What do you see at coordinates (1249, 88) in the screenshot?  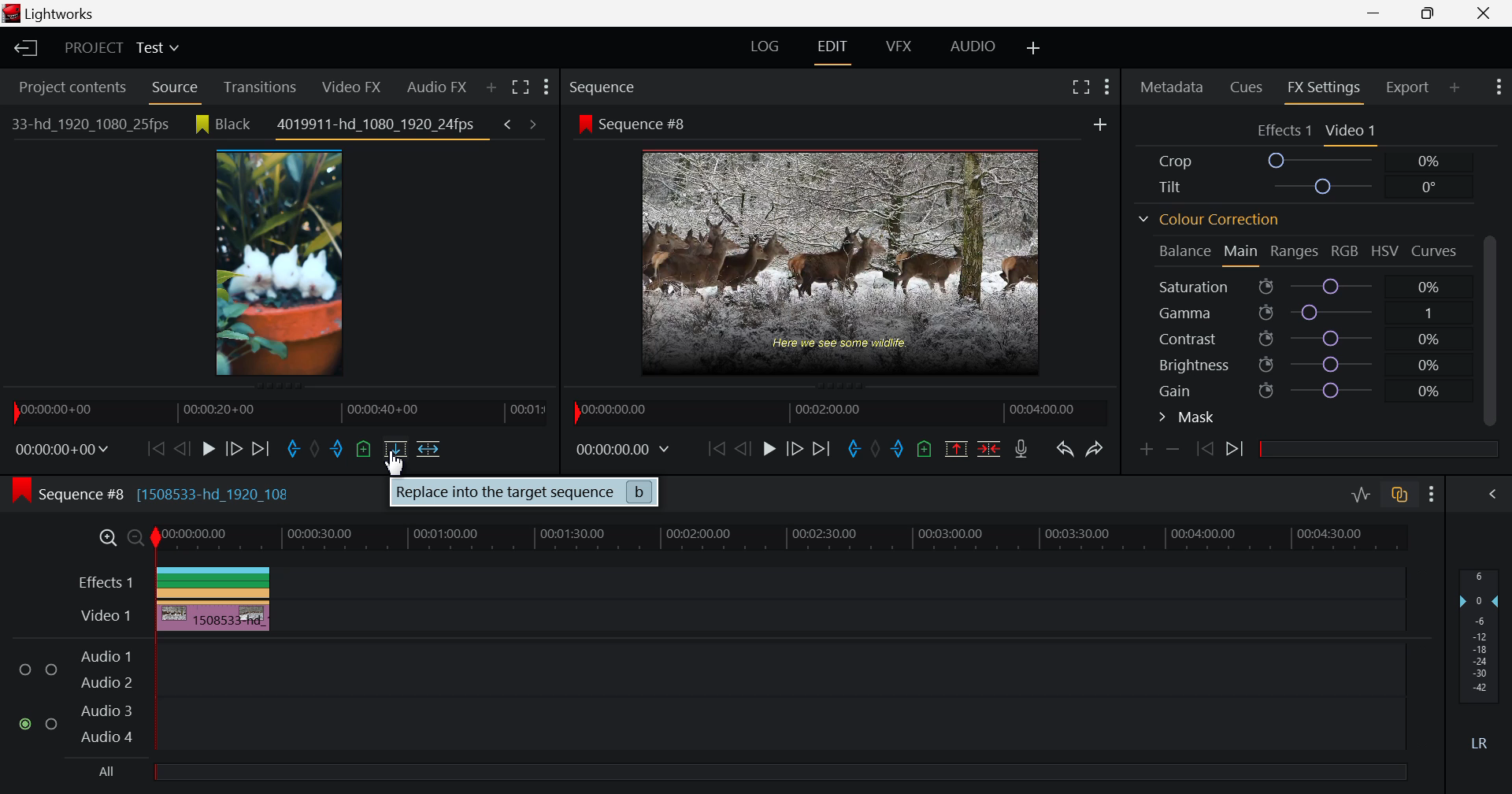 I see `Cues` at bounding box center [1249, 88].